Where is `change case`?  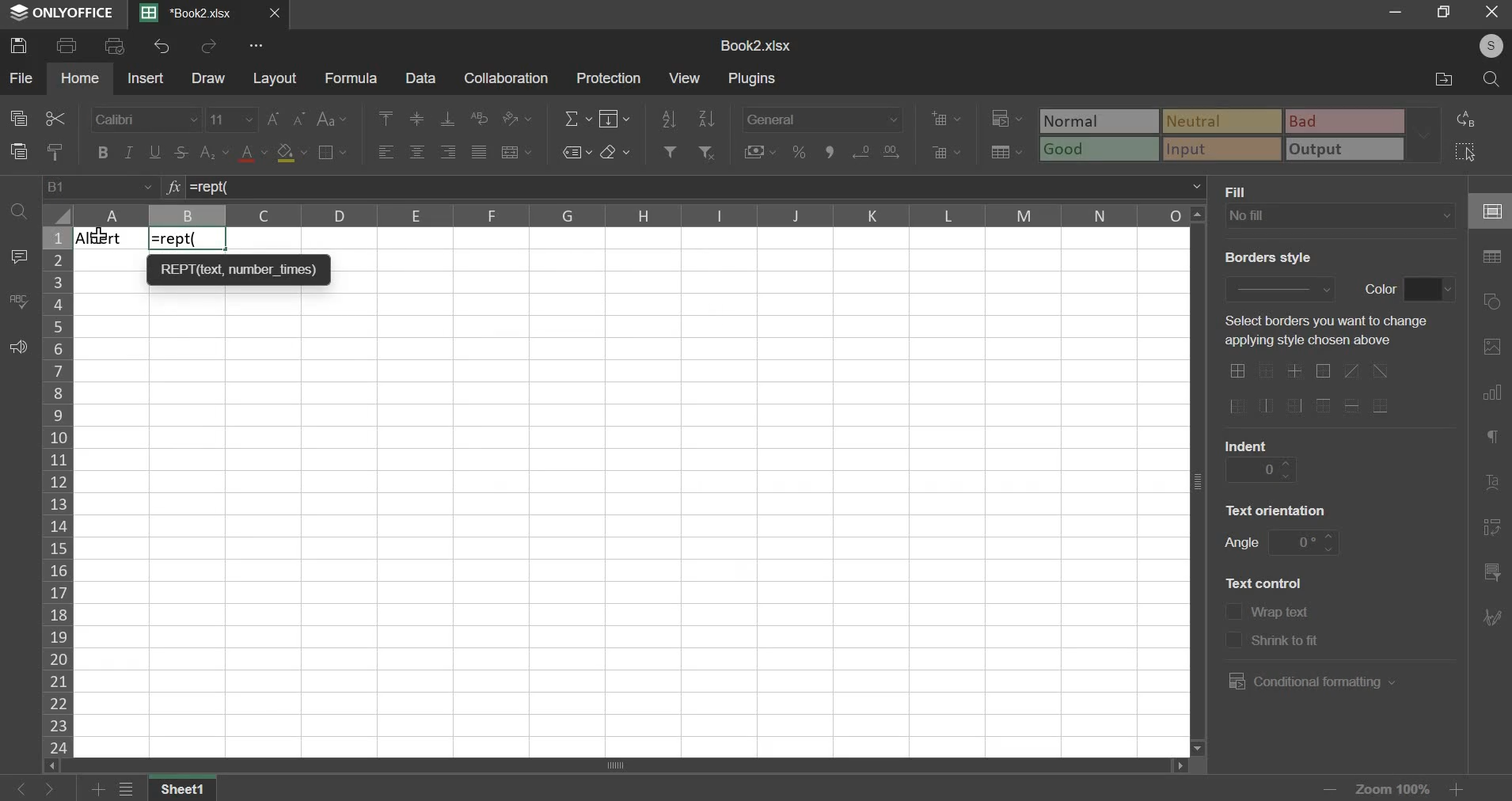
change case is located at coordinates (332, 120).